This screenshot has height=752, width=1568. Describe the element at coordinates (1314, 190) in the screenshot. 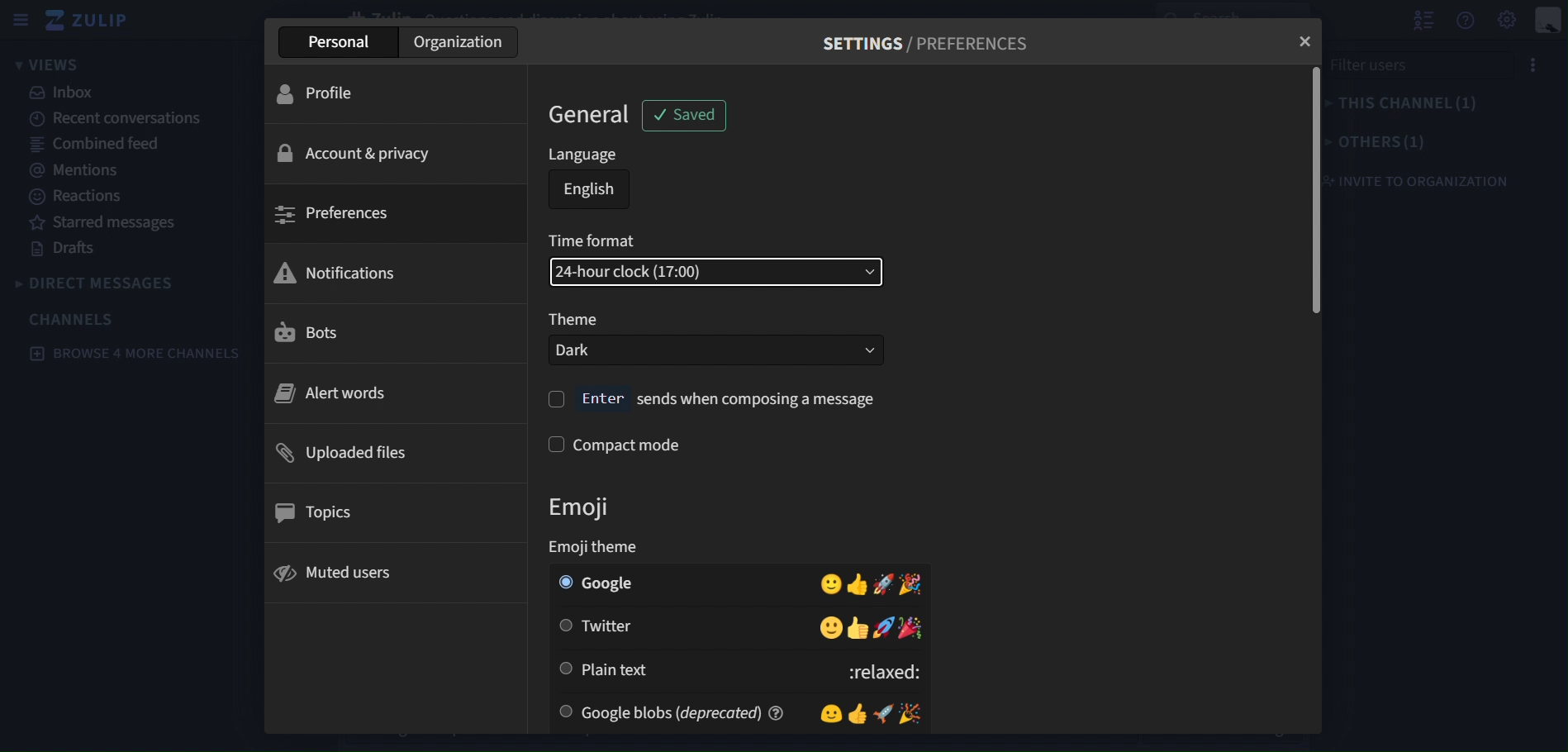

I see `vertical scrollbar` at that location.